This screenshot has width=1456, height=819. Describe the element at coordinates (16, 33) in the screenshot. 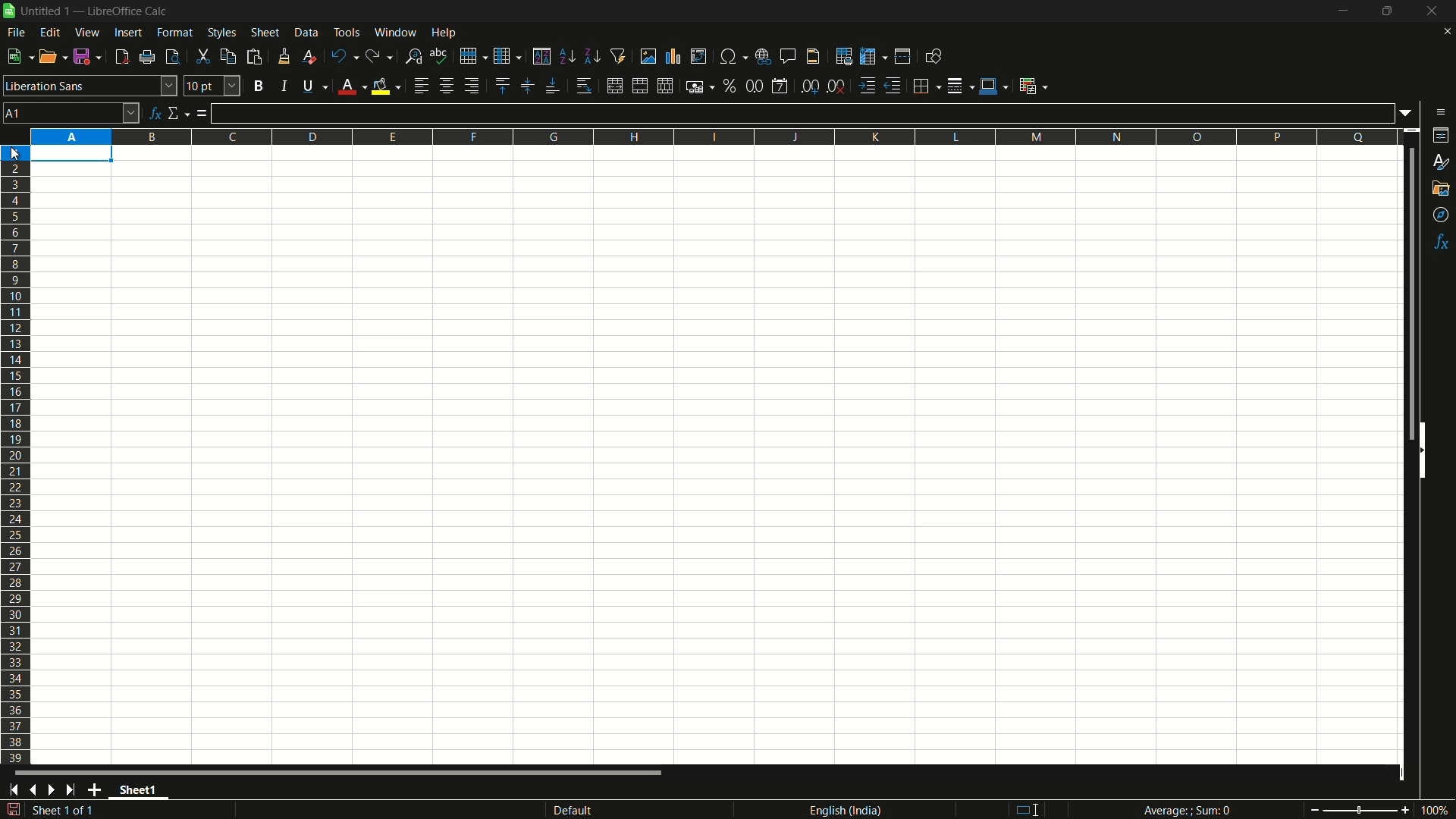

I see `file menu` at that location.